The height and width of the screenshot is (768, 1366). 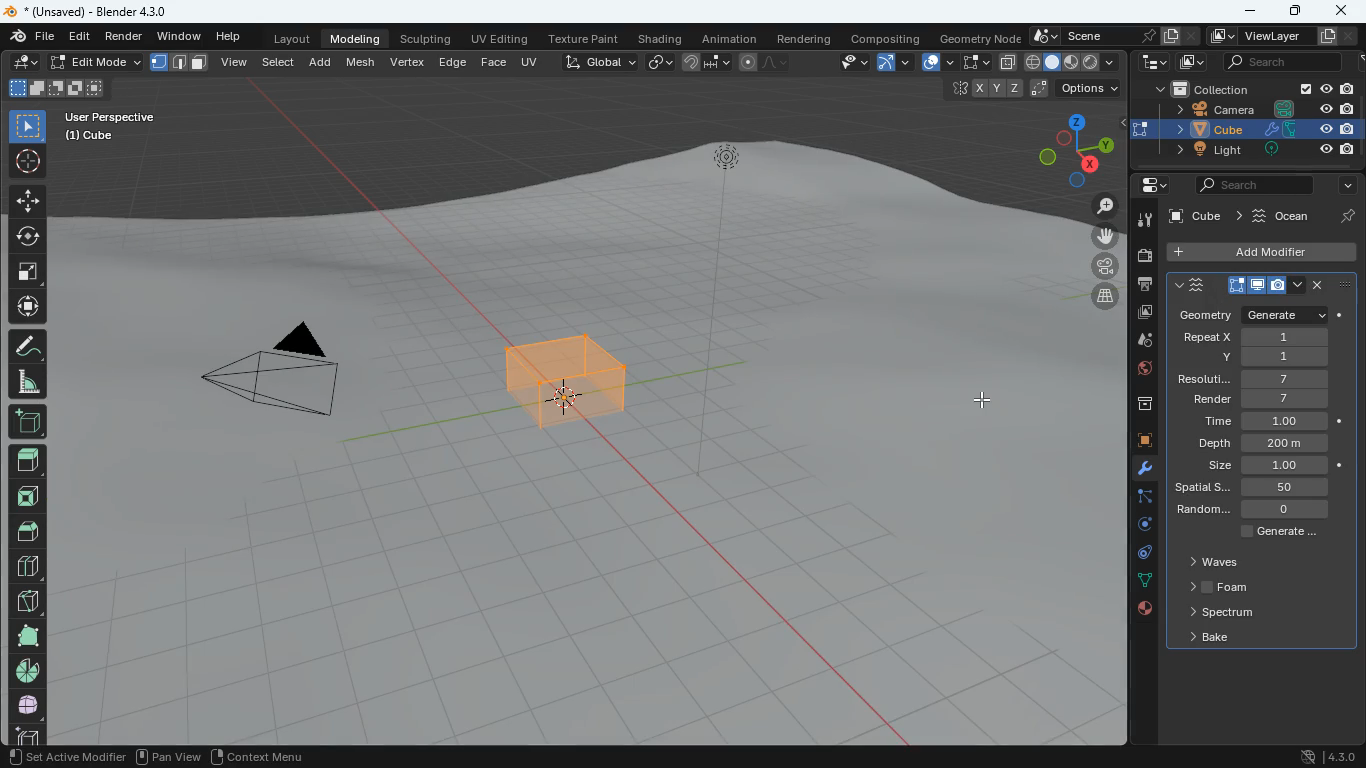 What do you see at coordinates (975, 63) in the screenshot?
I see `select` at bounding box center [975, 63].